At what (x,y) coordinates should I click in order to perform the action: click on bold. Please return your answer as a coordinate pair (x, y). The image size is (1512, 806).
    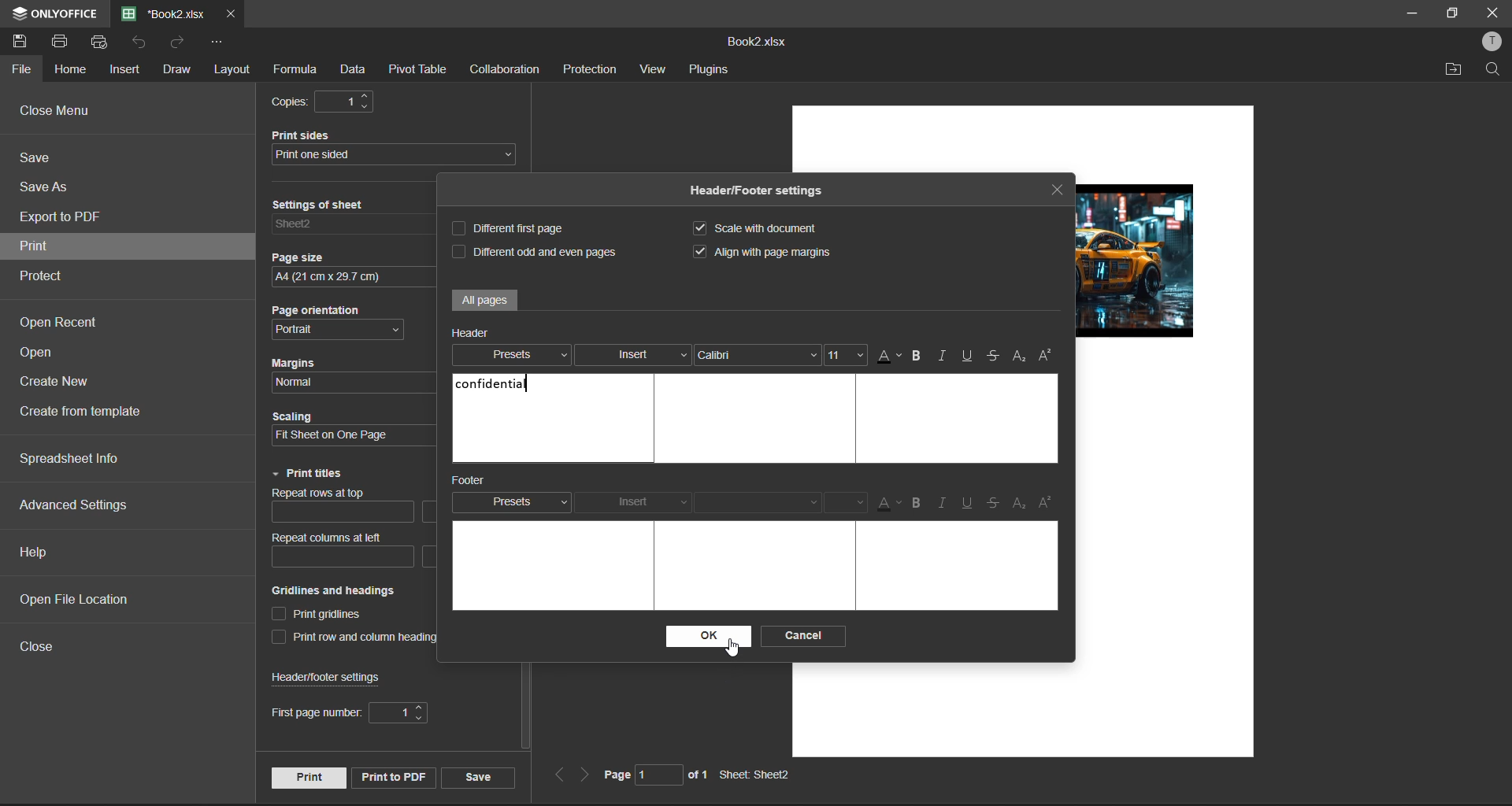
    Looking at the image, I should click on (917, 357).